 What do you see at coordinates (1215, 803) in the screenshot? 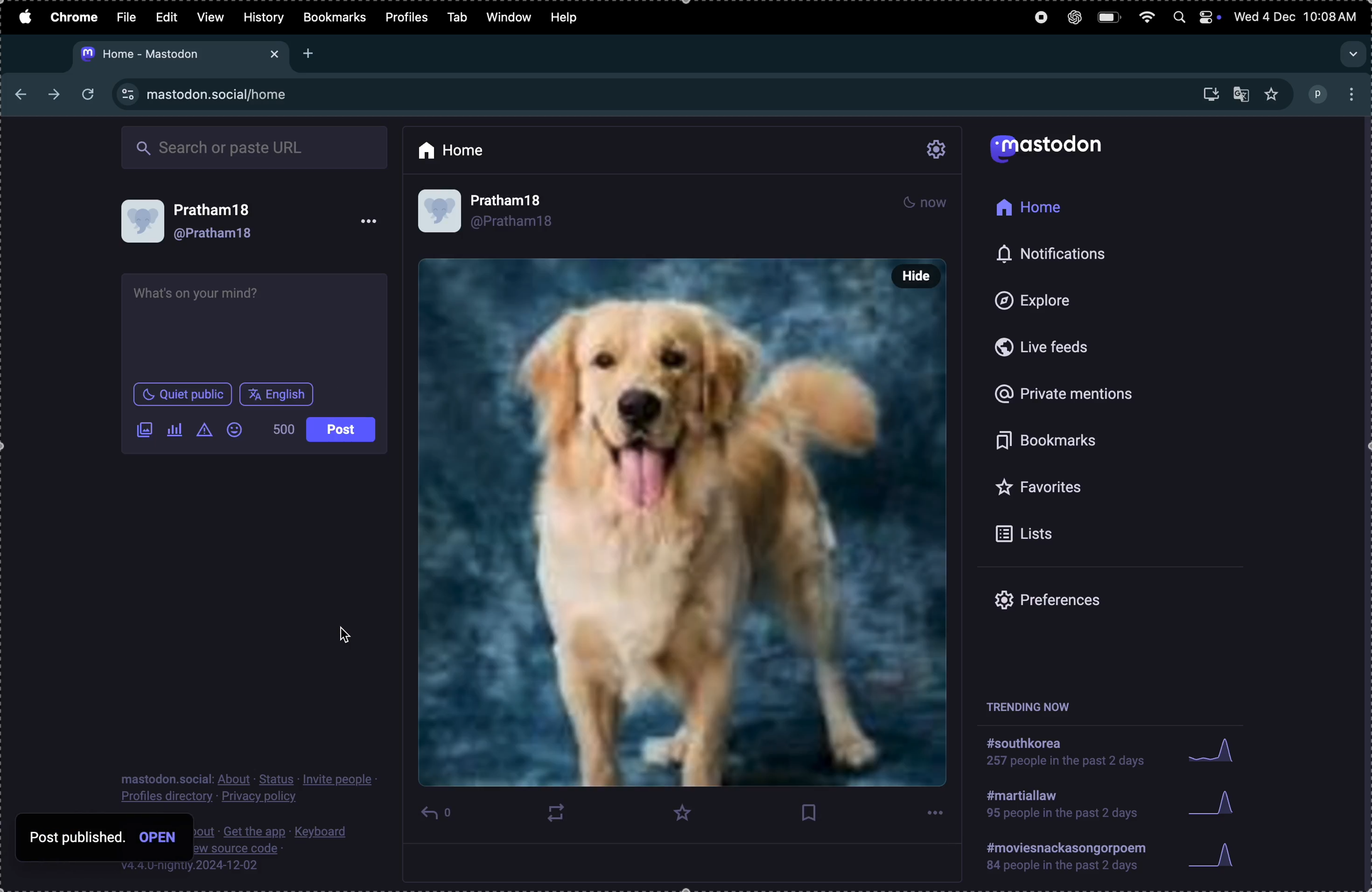
I see `graph` at bounding box center [1215, 803].